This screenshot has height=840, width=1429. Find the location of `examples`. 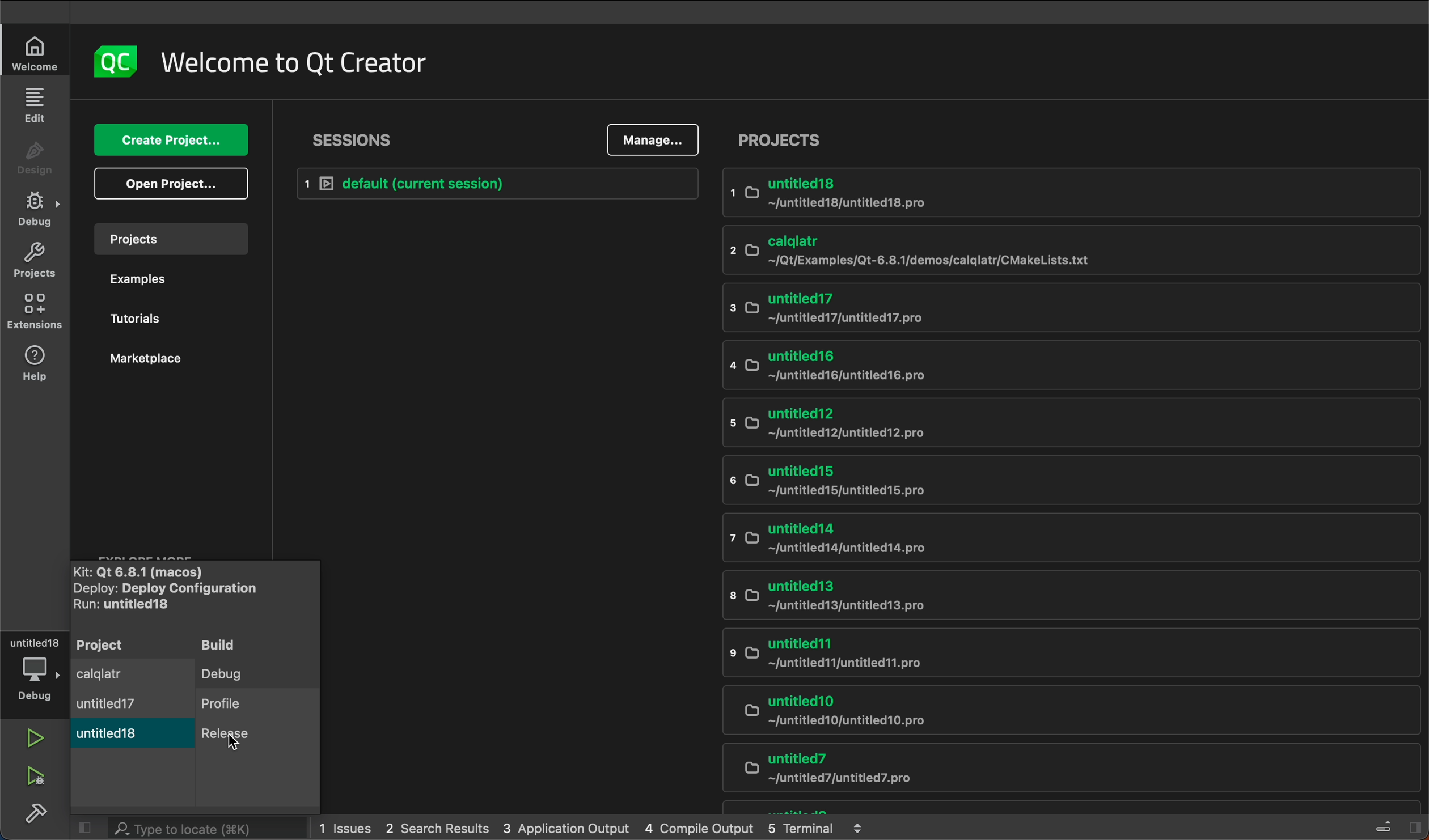

examples is located at coordinates (168, 282).